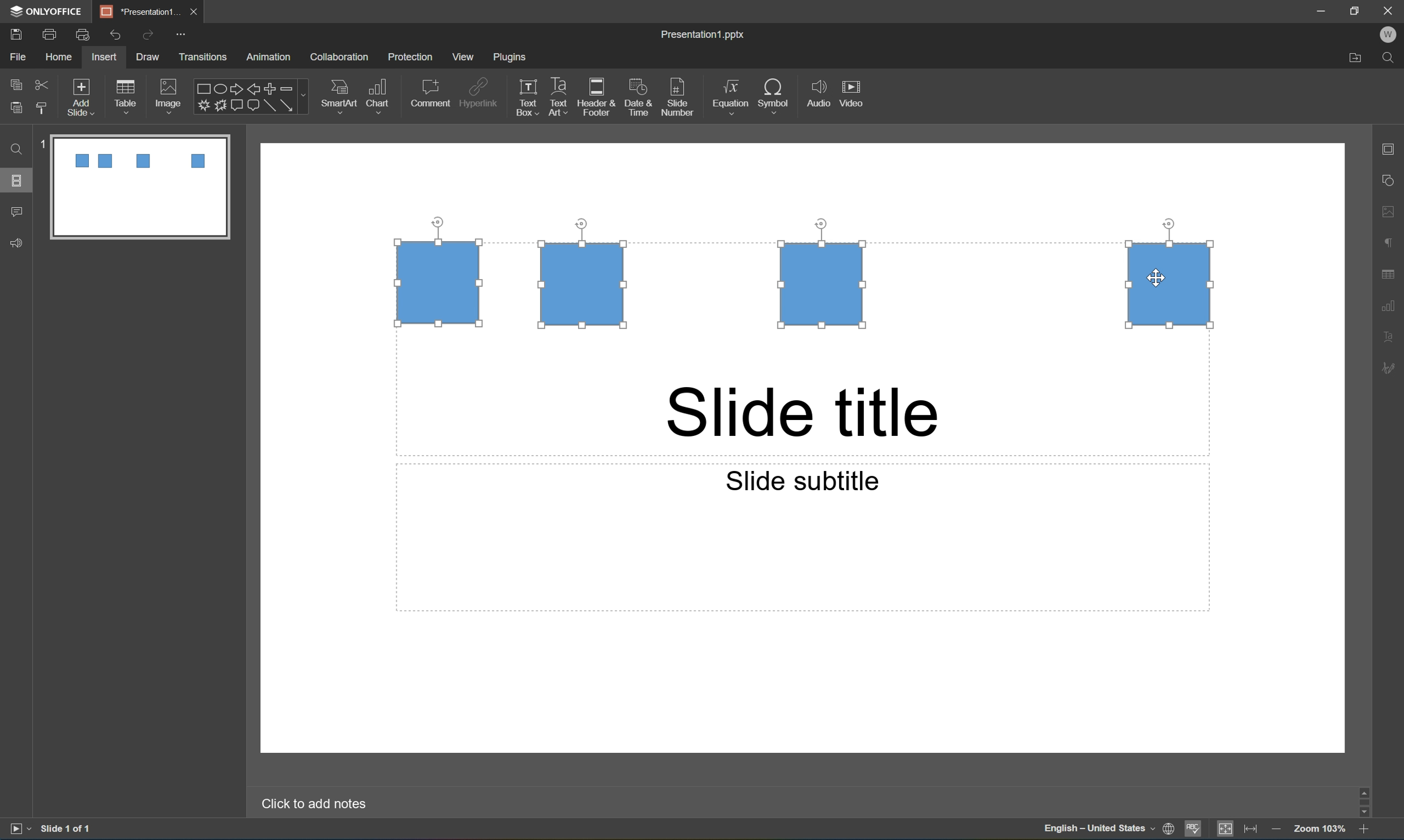  What do you see at coordinates (20, 58) in the screenshot?
I see `File` at bounding box center [20, 58].